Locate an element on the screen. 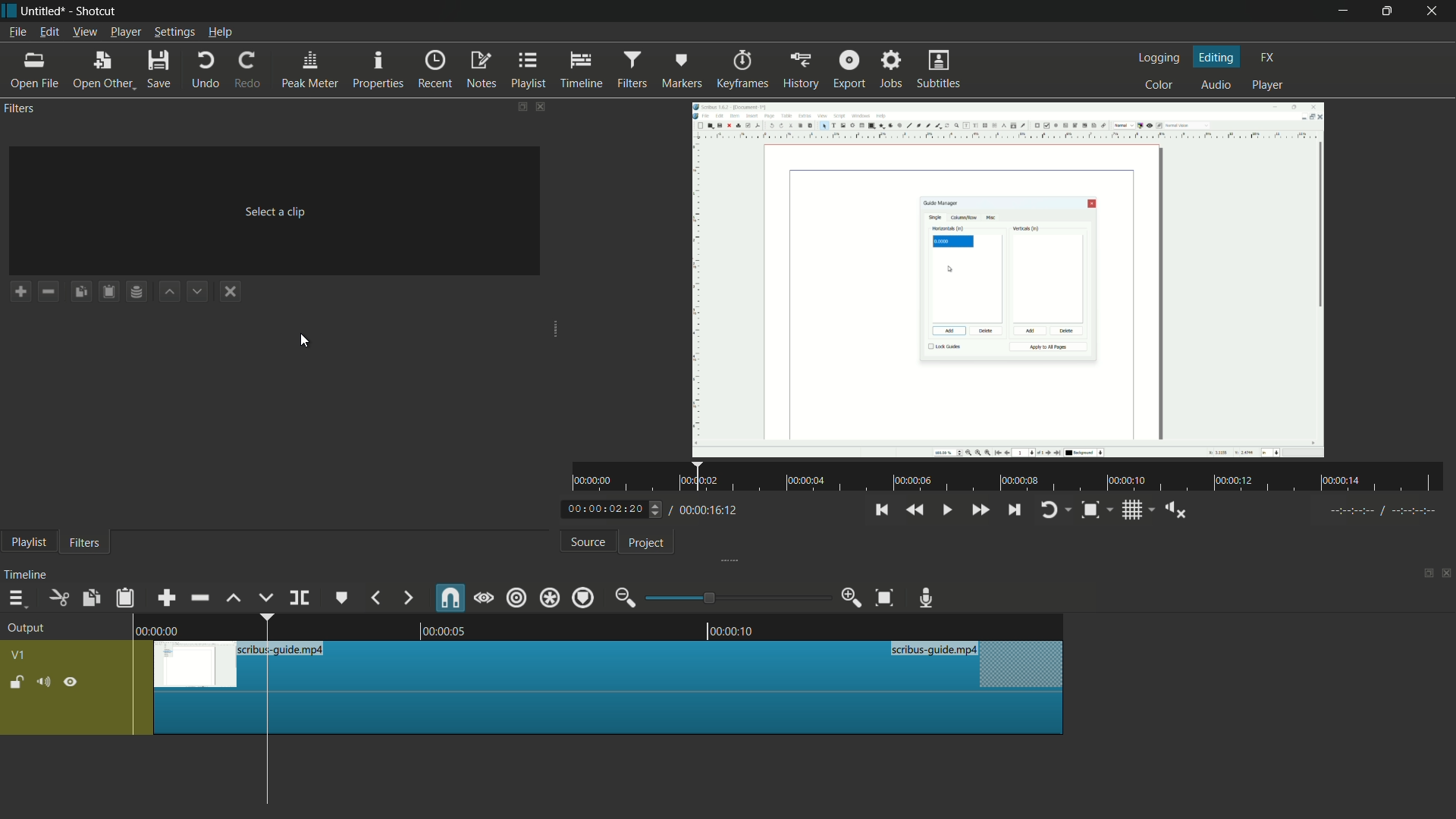  markers is located at coordinates (681, 71).